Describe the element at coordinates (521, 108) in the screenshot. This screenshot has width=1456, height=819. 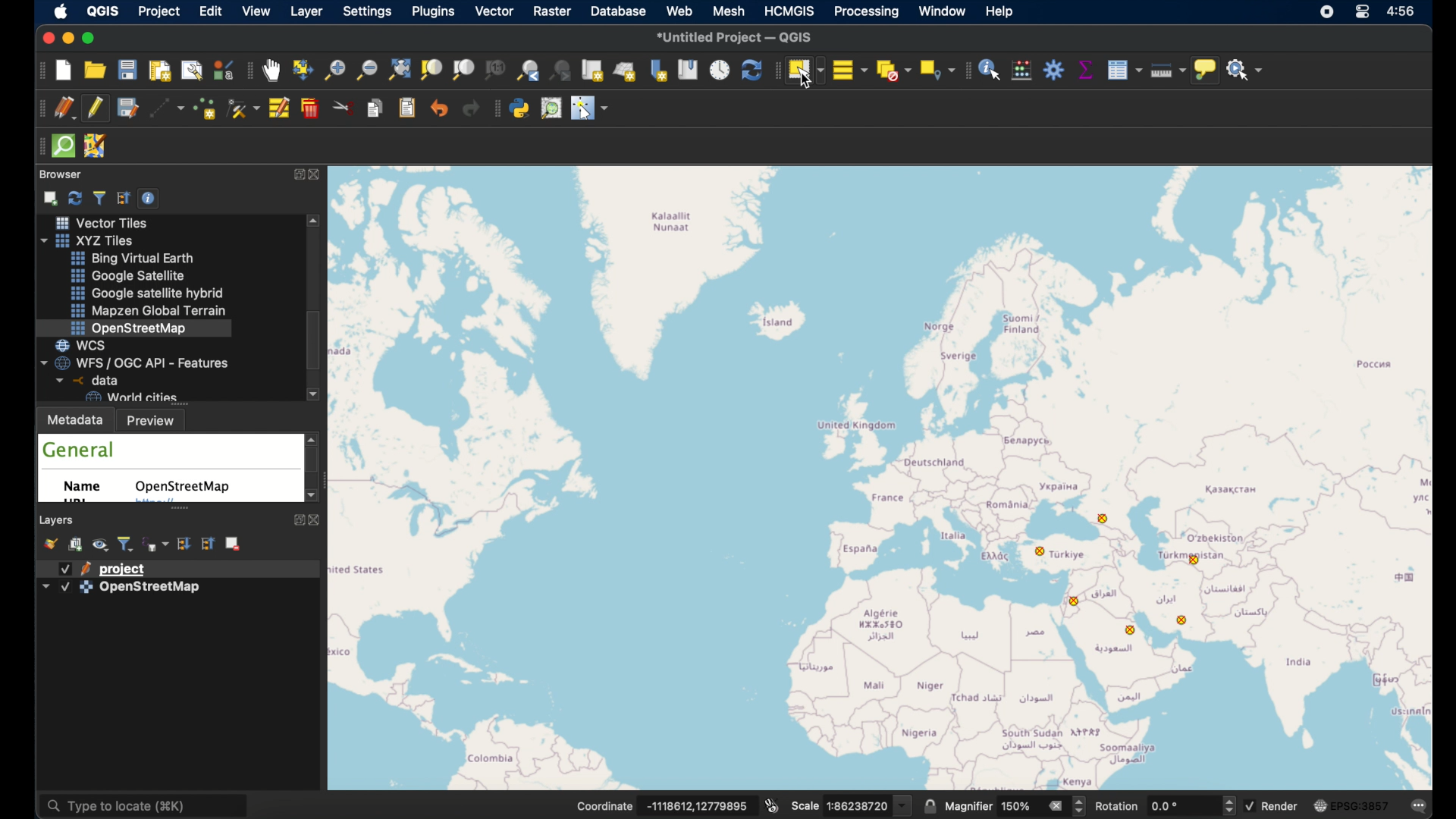
I see `python console` at that location.